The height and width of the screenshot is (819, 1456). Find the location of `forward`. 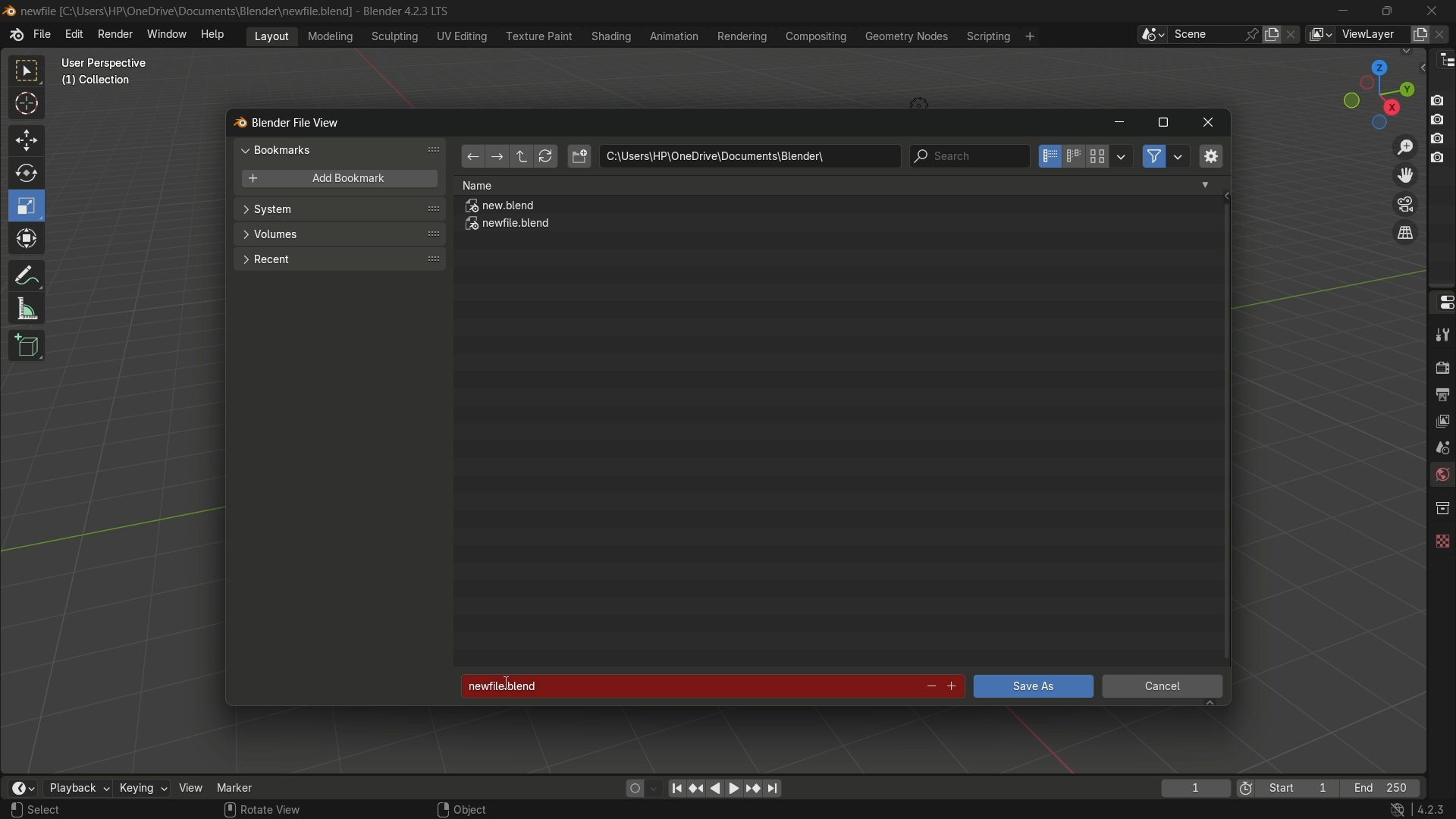

forward is located at coordinates (495, 158).